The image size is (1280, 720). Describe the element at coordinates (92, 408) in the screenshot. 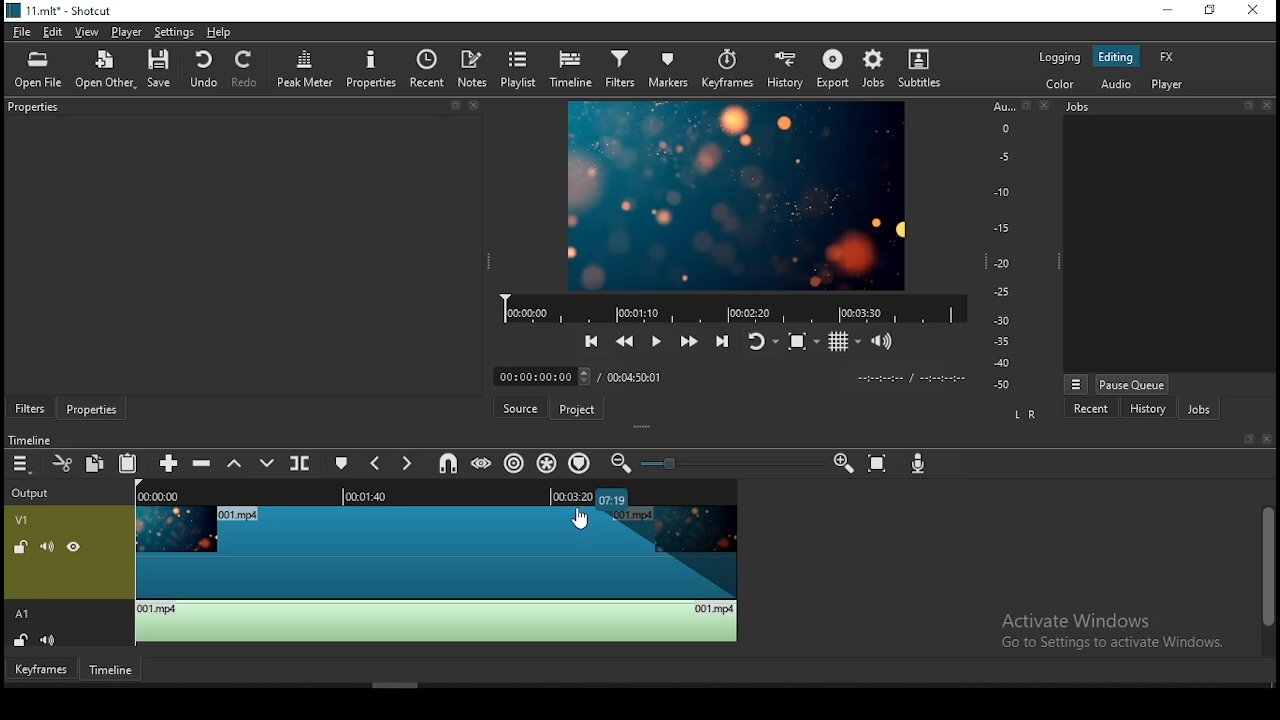

I see `properties` at that location.